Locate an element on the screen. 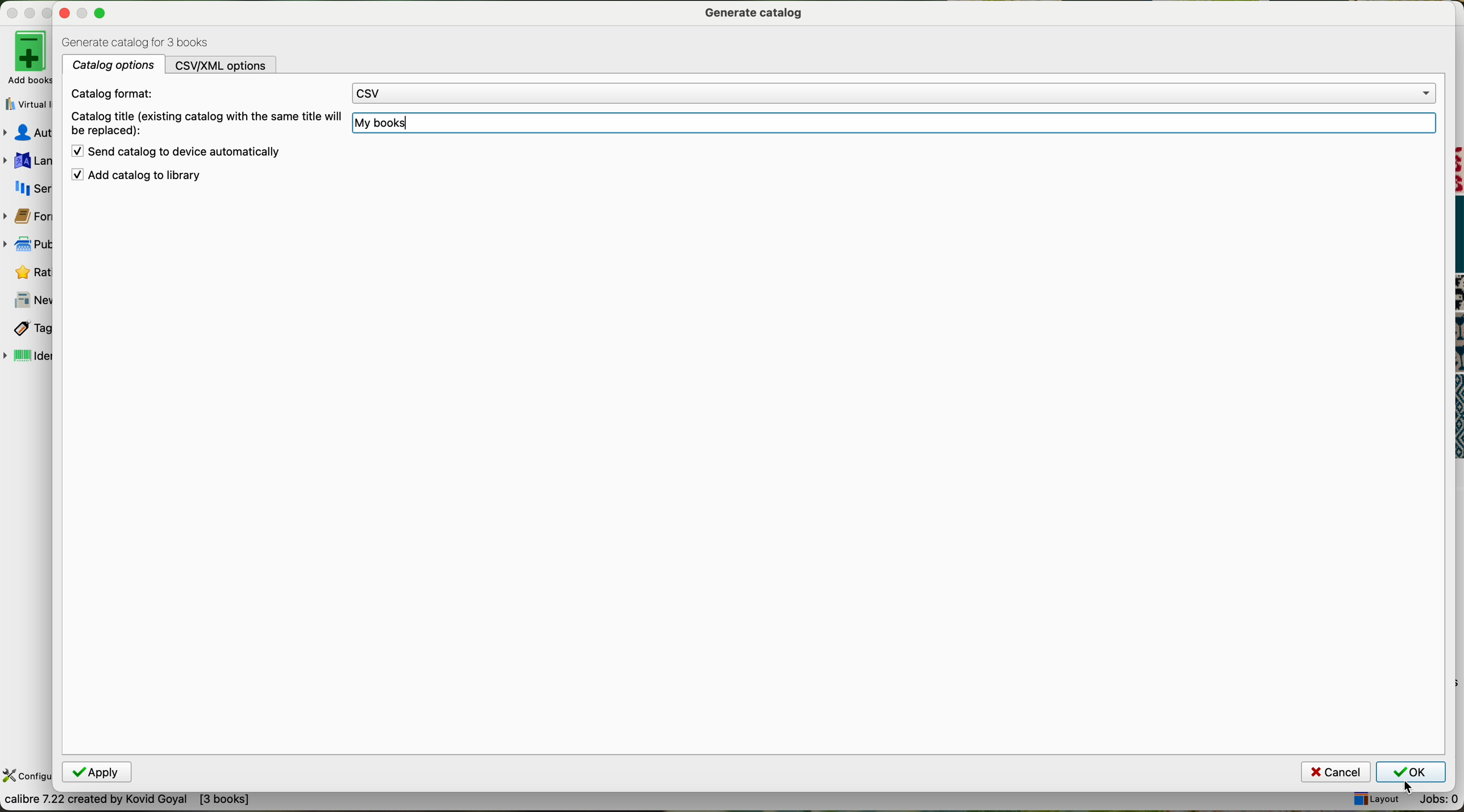 The height and width of the screenshot is (812, 1464). CSV option is located at coordinates (891, 93).